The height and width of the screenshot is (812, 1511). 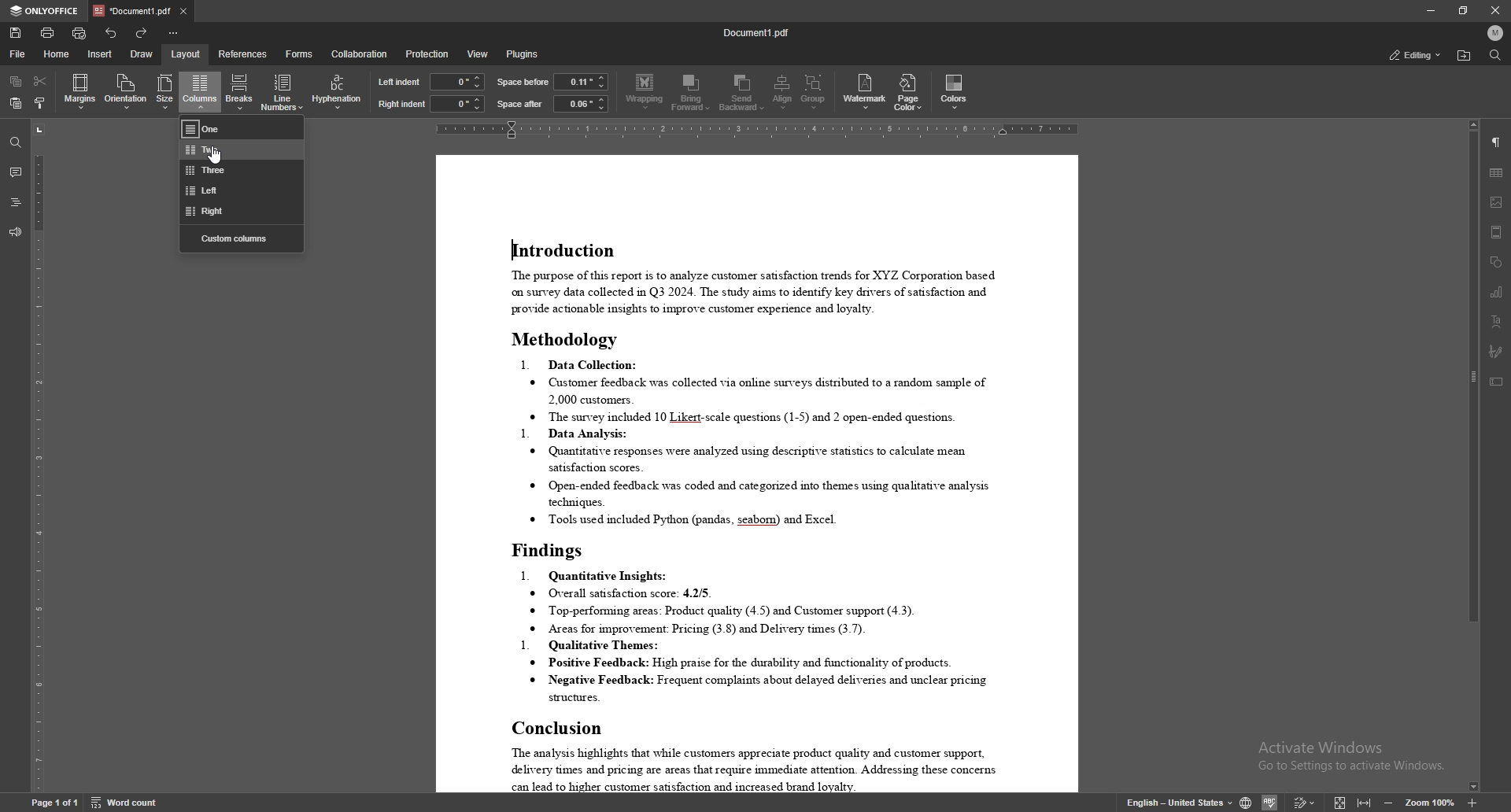 What do you see at coordinates (782, 92) in the screenshot?
I see `align` at bounding box center [782, 92].